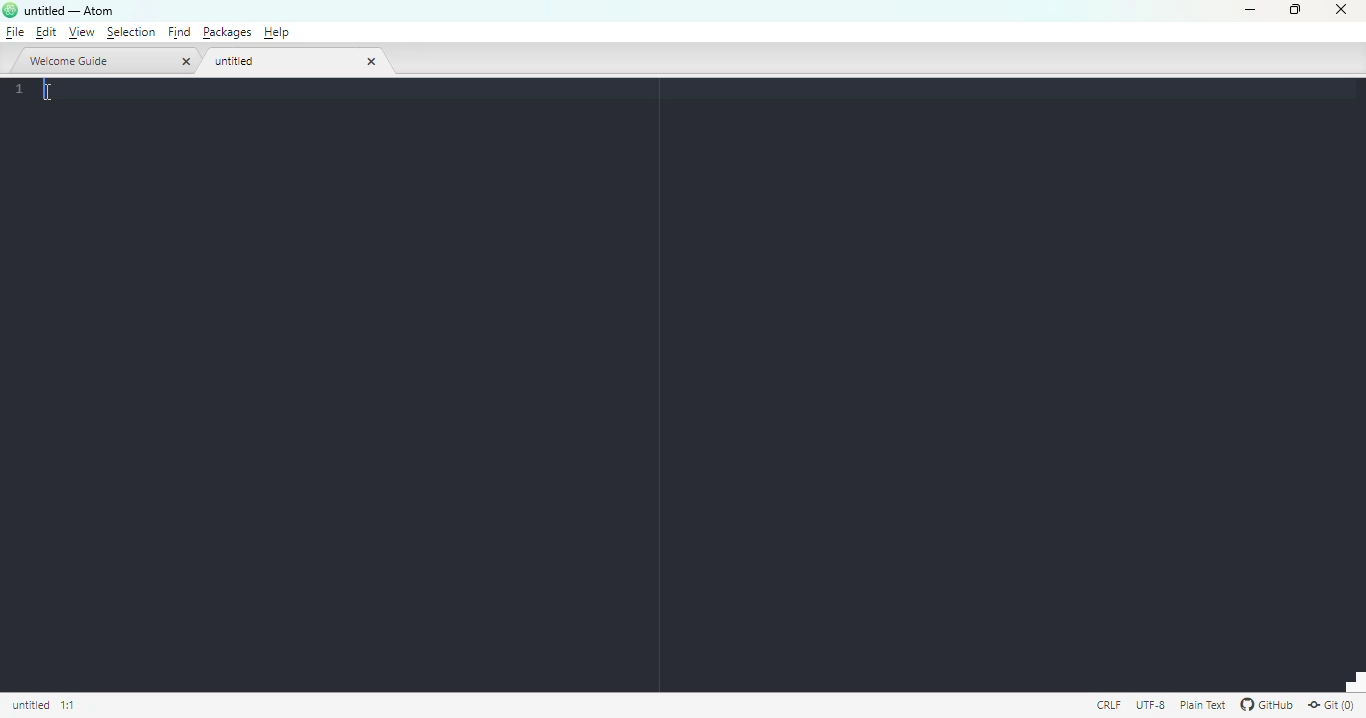  I want to click on click to copy absolute file path, so click(30, 703).